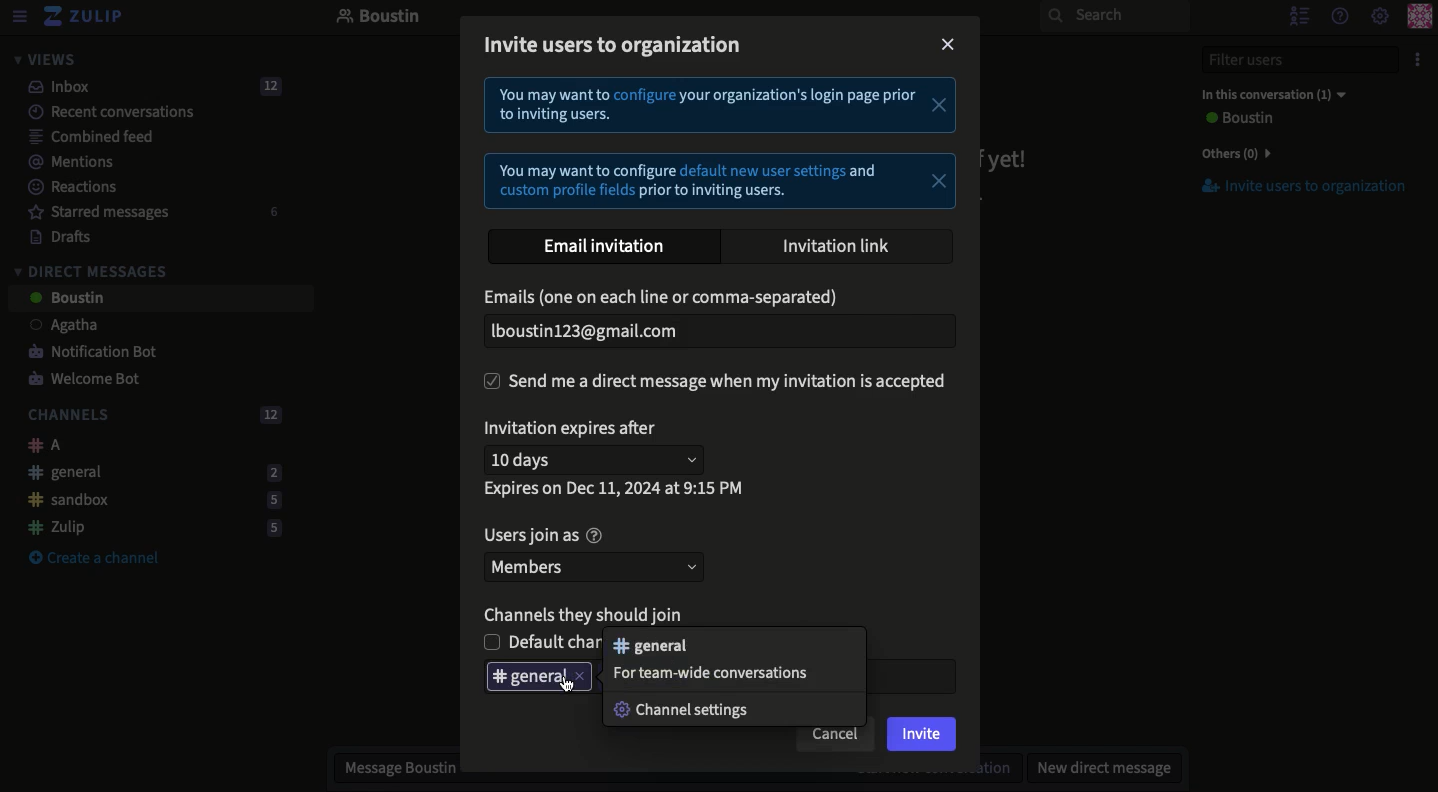 This screenshot has width=1438, height=792. Describe the element at coordinates (575, 430) in the screenshot. I see `Invitation expires after` at that location.